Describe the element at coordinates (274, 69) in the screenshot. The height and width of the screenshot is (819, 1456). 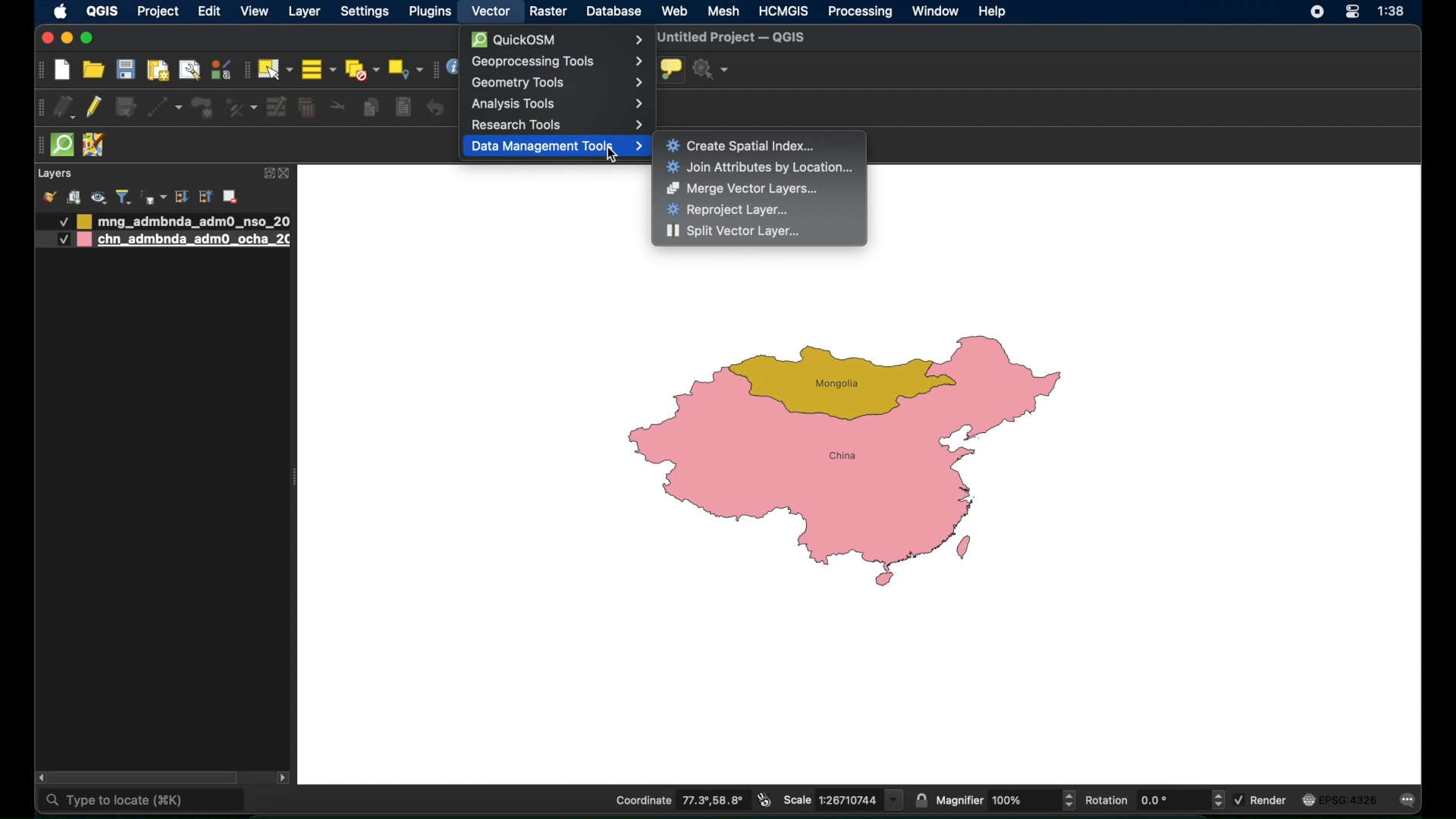
I see `select features by area or single click` at that location.